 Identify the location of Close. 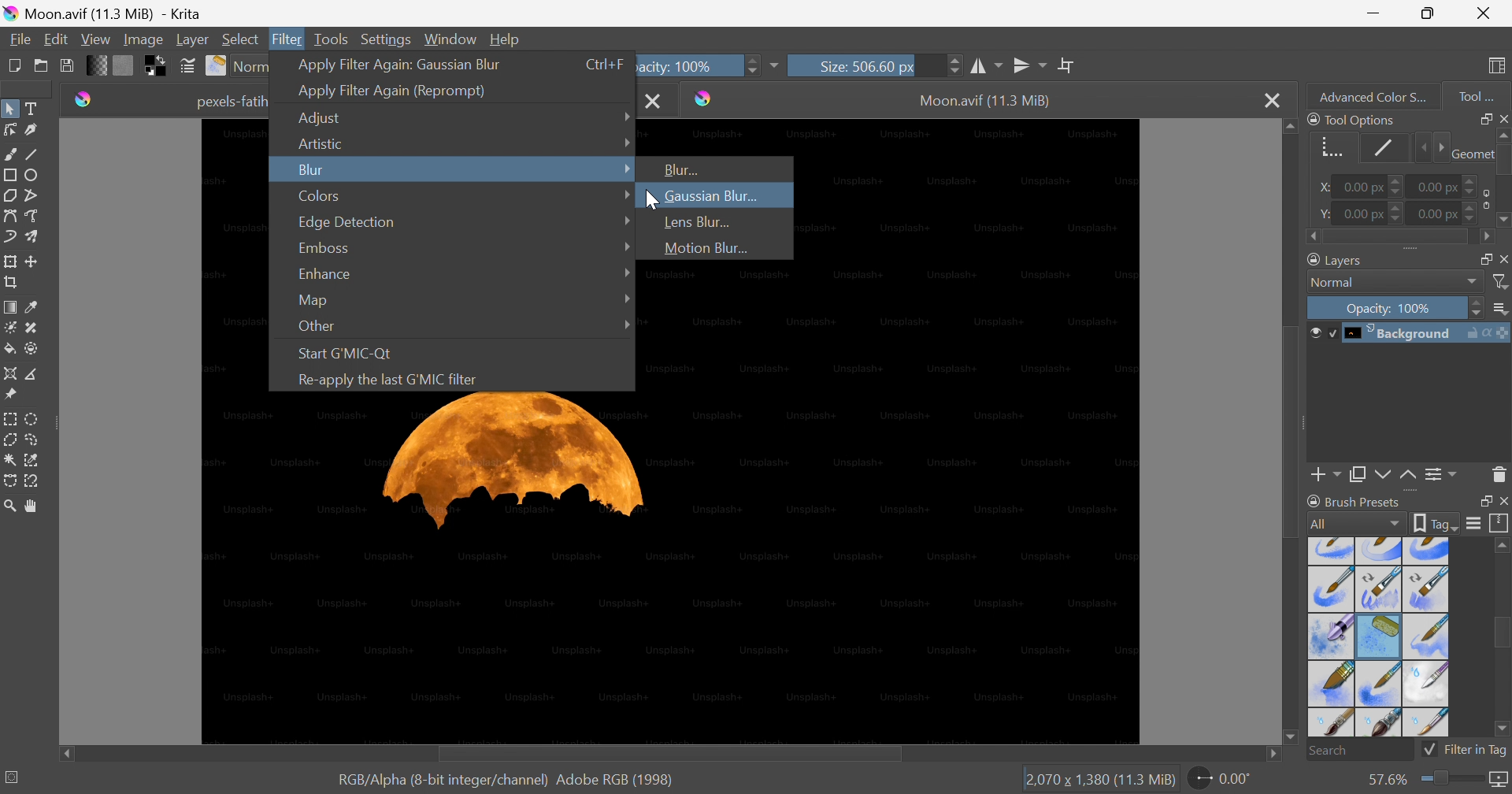
(654, 102).